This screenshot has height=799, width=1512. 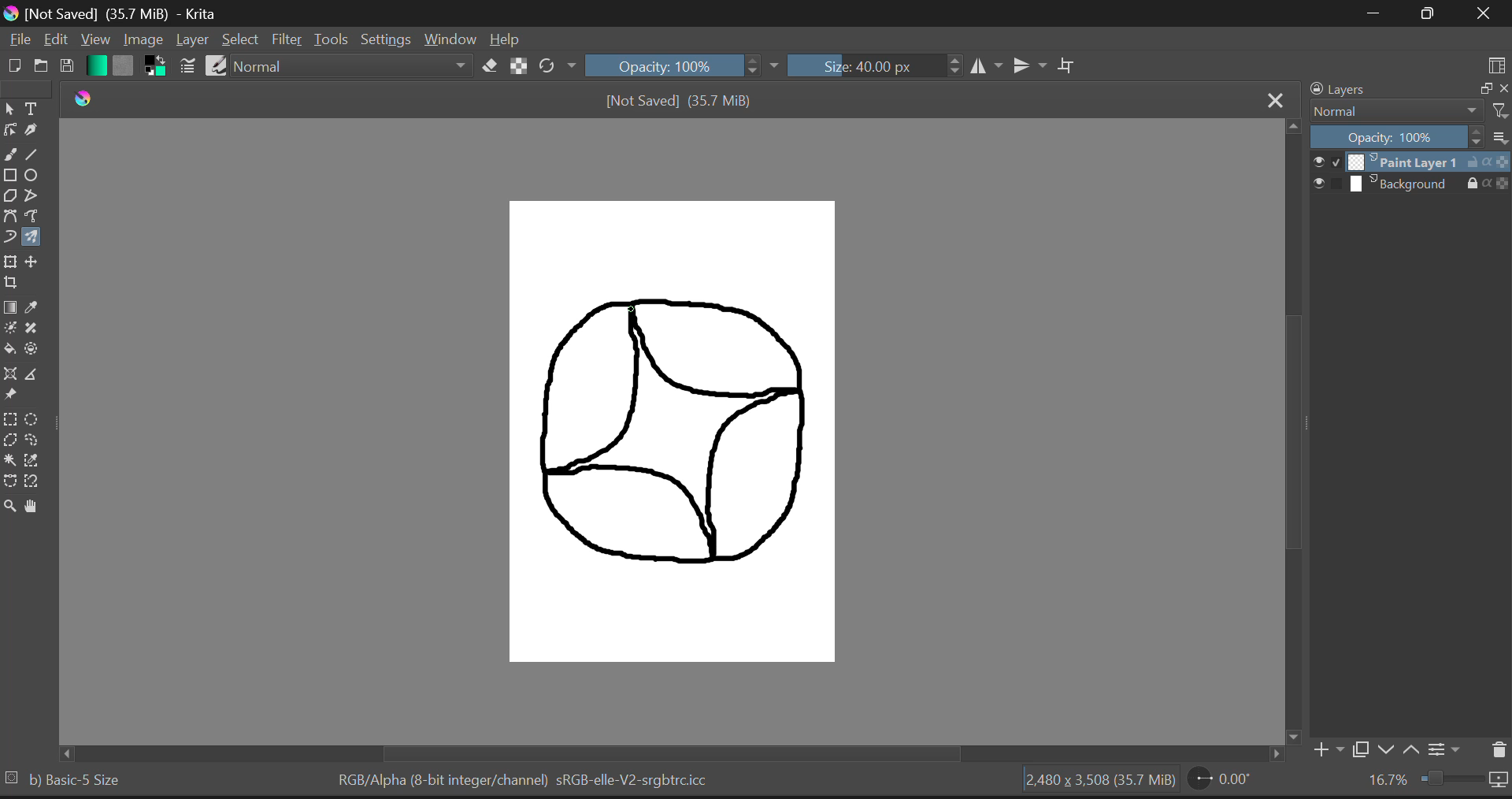 I want to click on Krita Logo, so click(x=82, y=98).